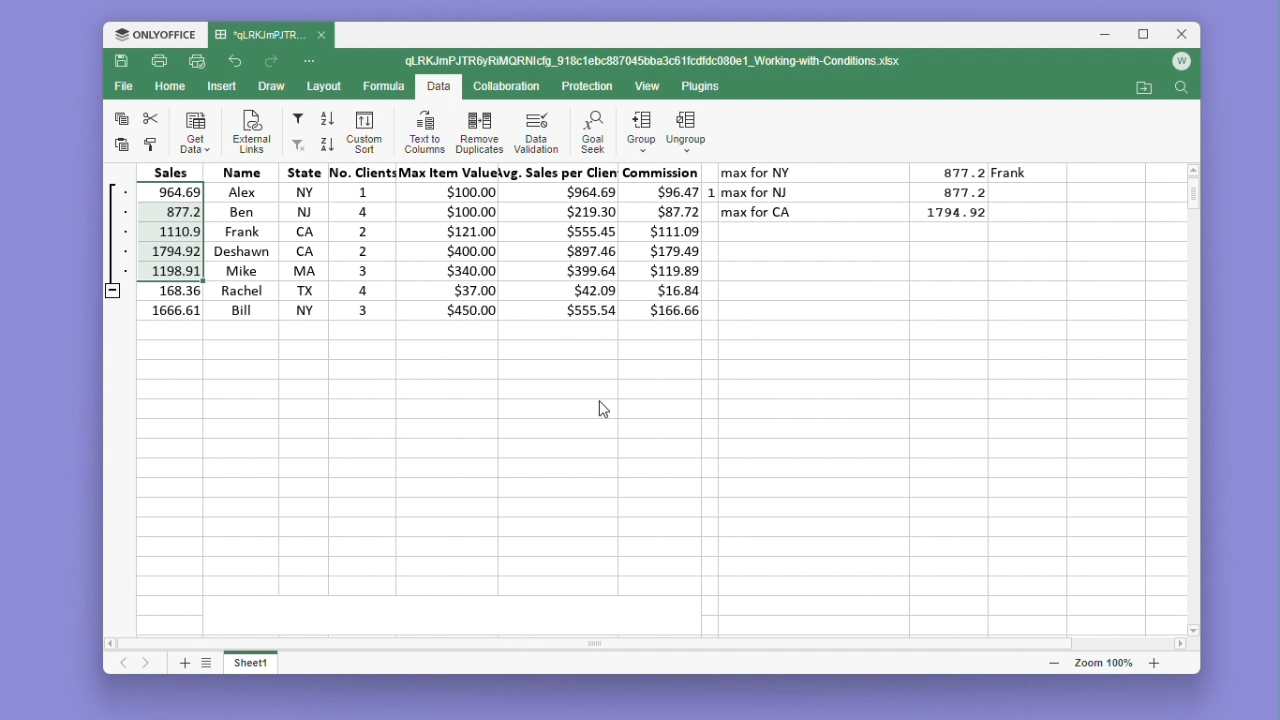 The height and width of the screenshot is (720, 1280). Describe the element at coordinates (150, 232) in the screenshot. I see `selected cells` at that location.